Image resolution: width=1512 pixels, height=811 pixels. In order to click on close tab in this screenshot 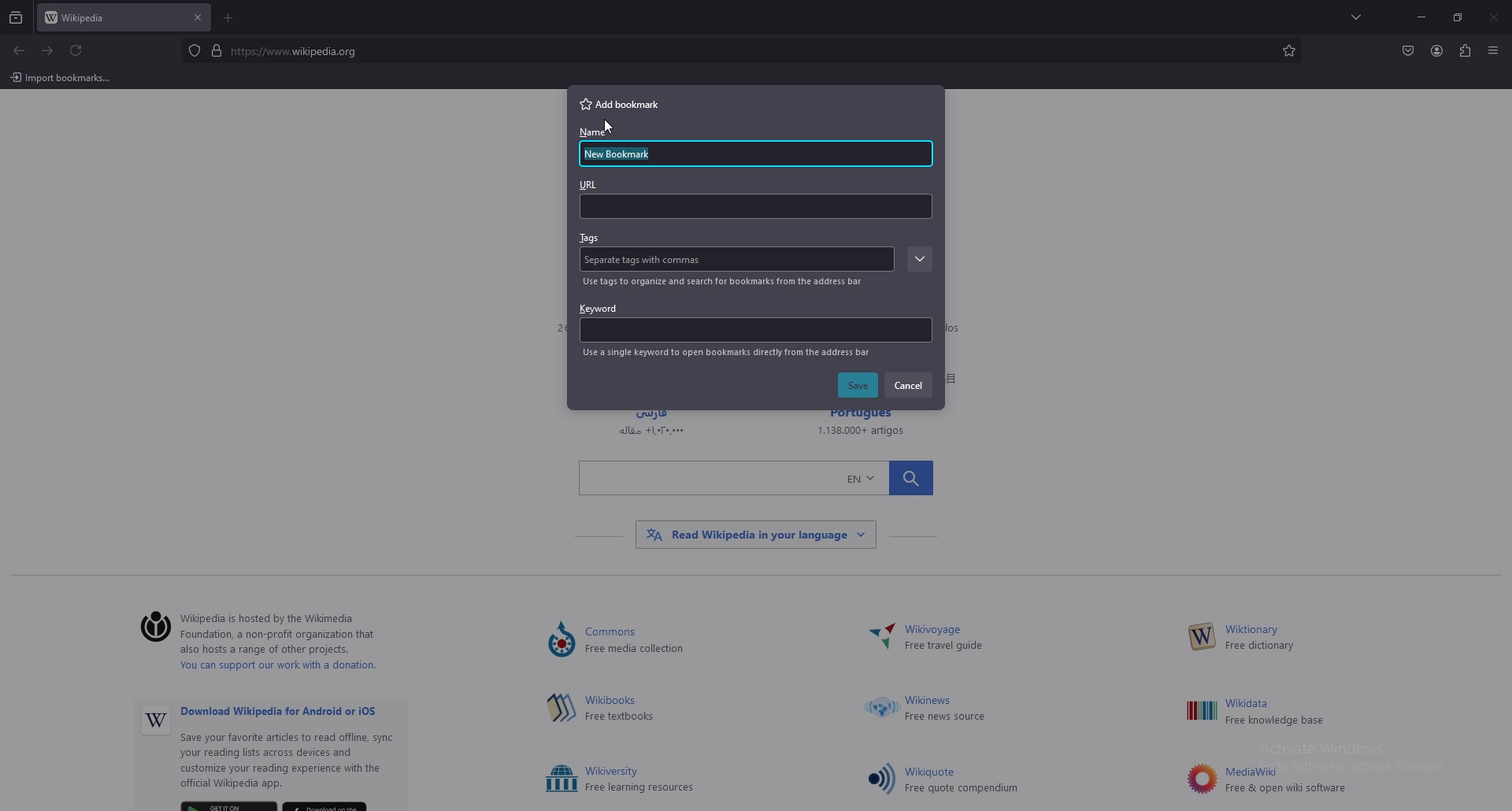, I will do `click(198, 17)`.